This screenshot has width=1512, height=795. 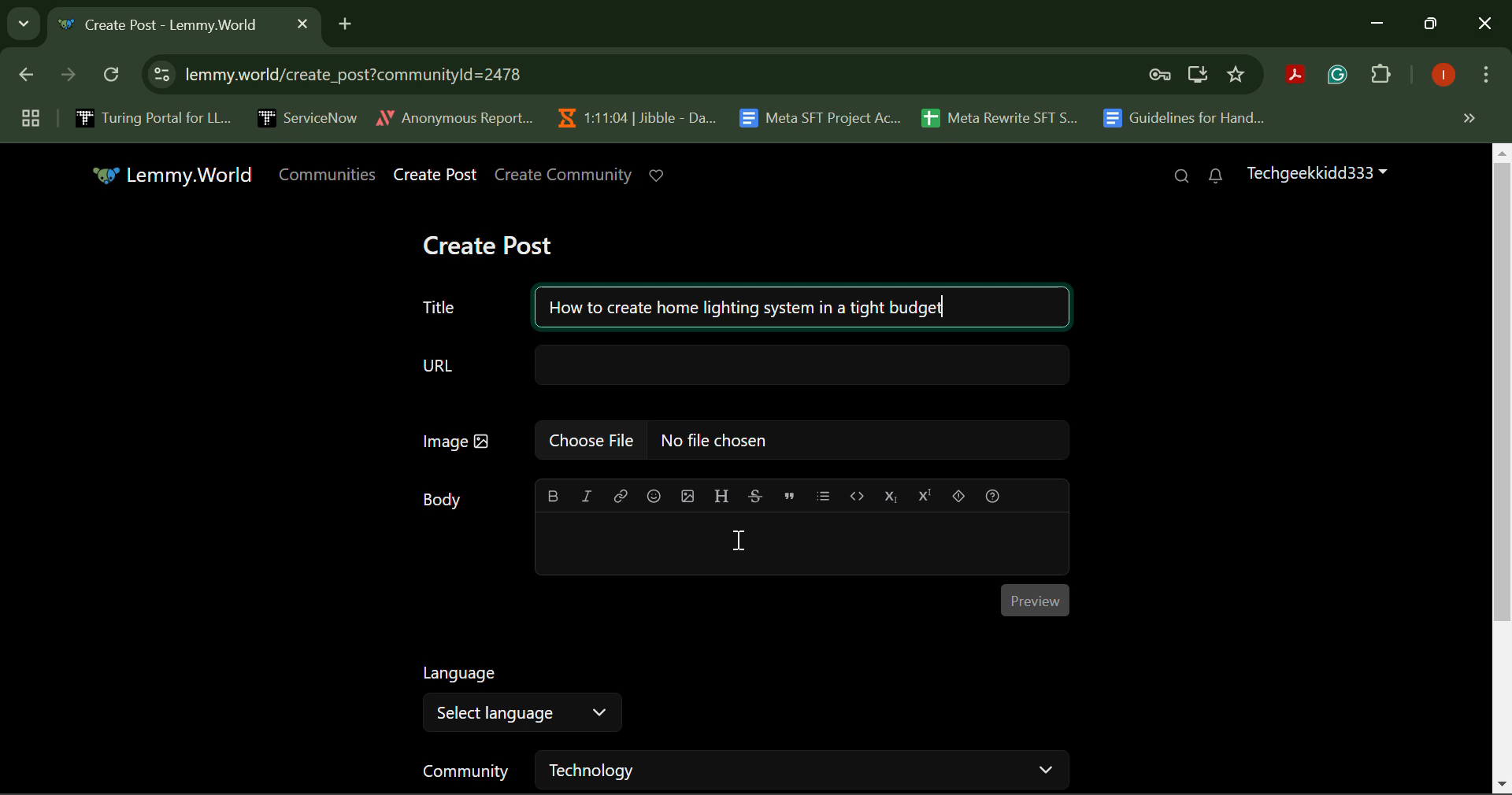 I want to click on Previous Page, so click(x=29, y=78).